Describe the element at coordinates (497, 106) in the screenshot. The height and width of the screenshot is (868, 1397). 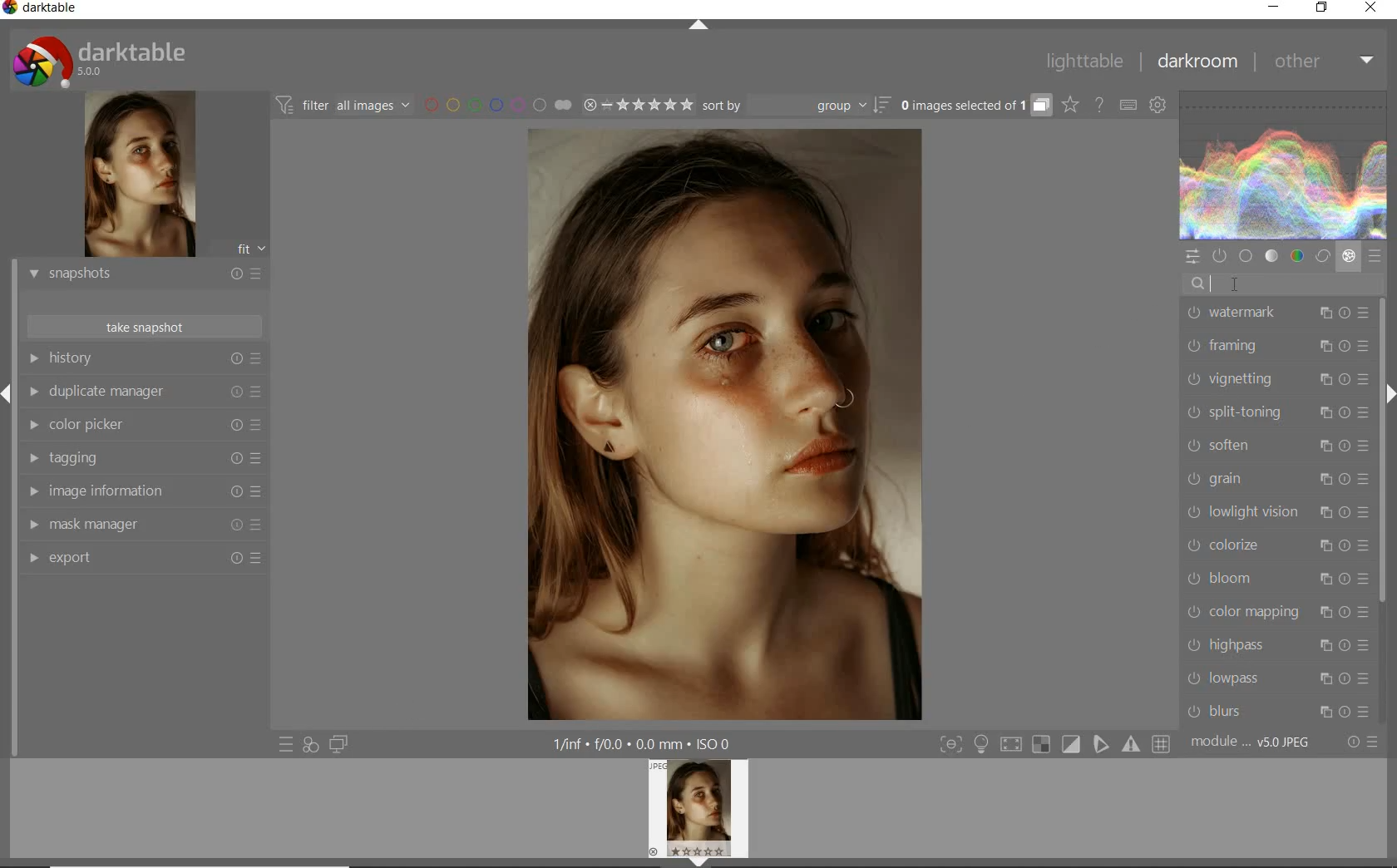
I see `filter by image color` at that location.